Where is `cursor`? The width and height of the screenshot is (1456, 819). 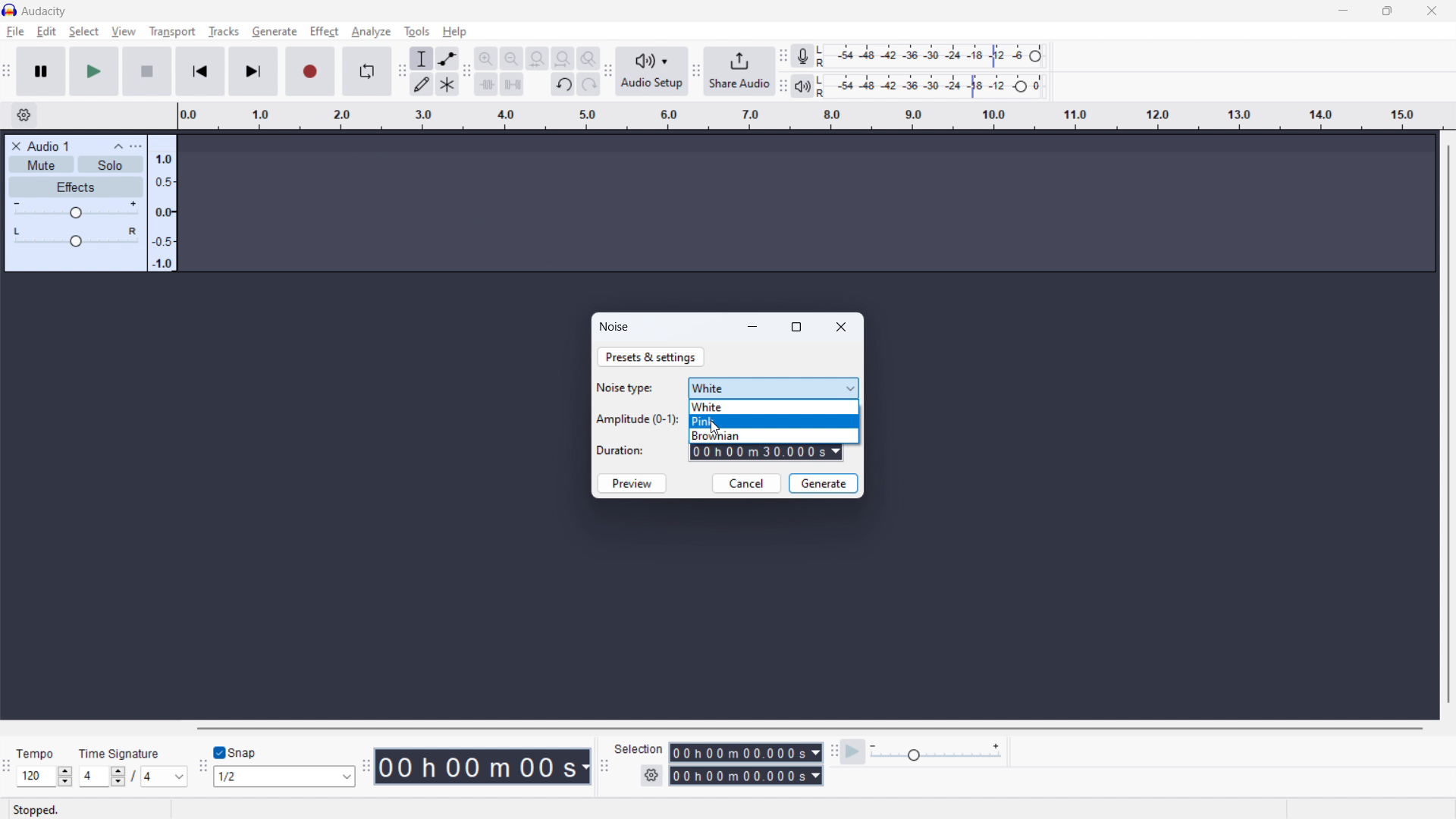
cursor is located at coordinates (714, 428).